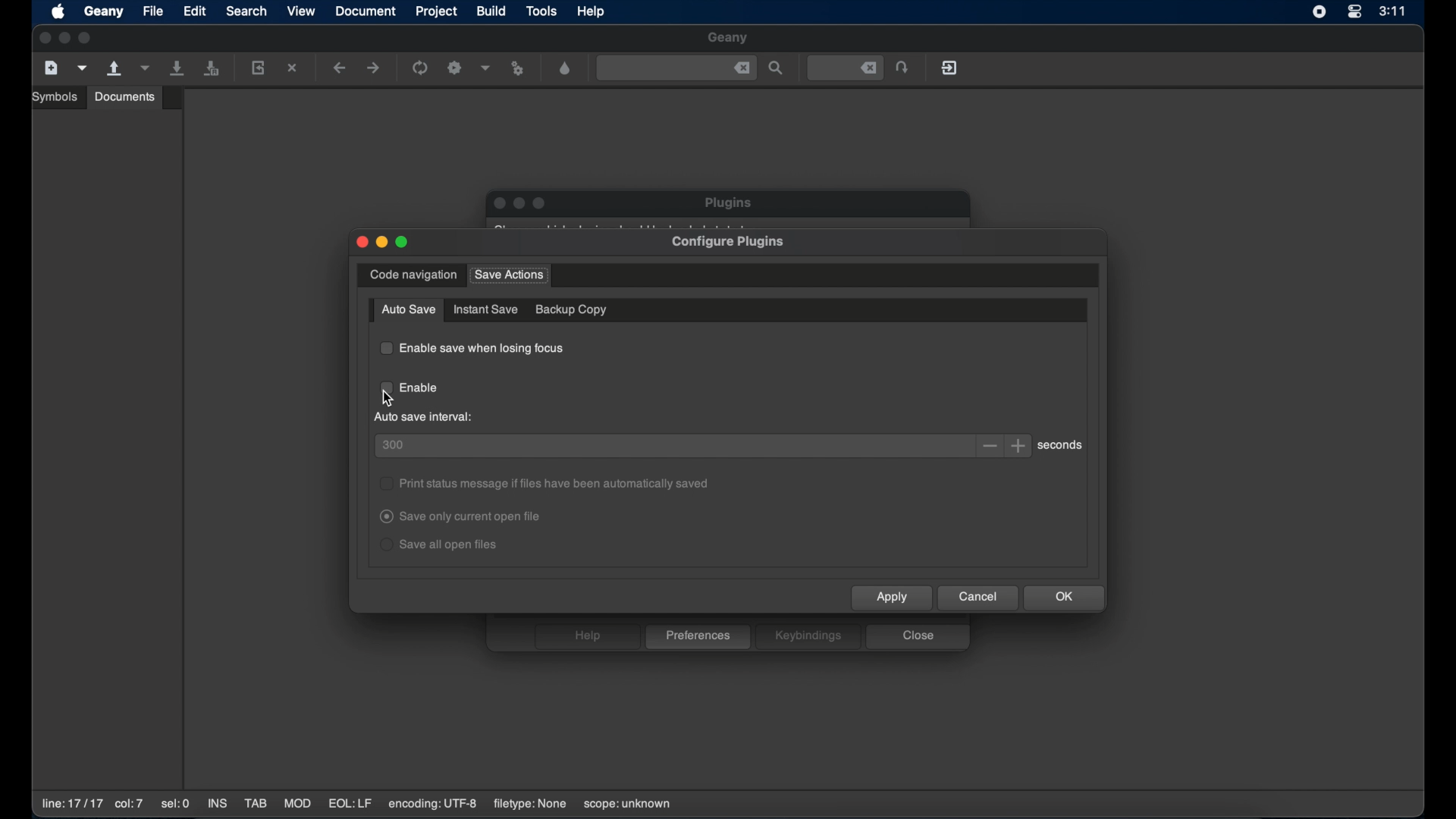  What do you see at coordinates (115, 69) in the screenshot?
I see `open an existing file` at bounding box center [115, 69].